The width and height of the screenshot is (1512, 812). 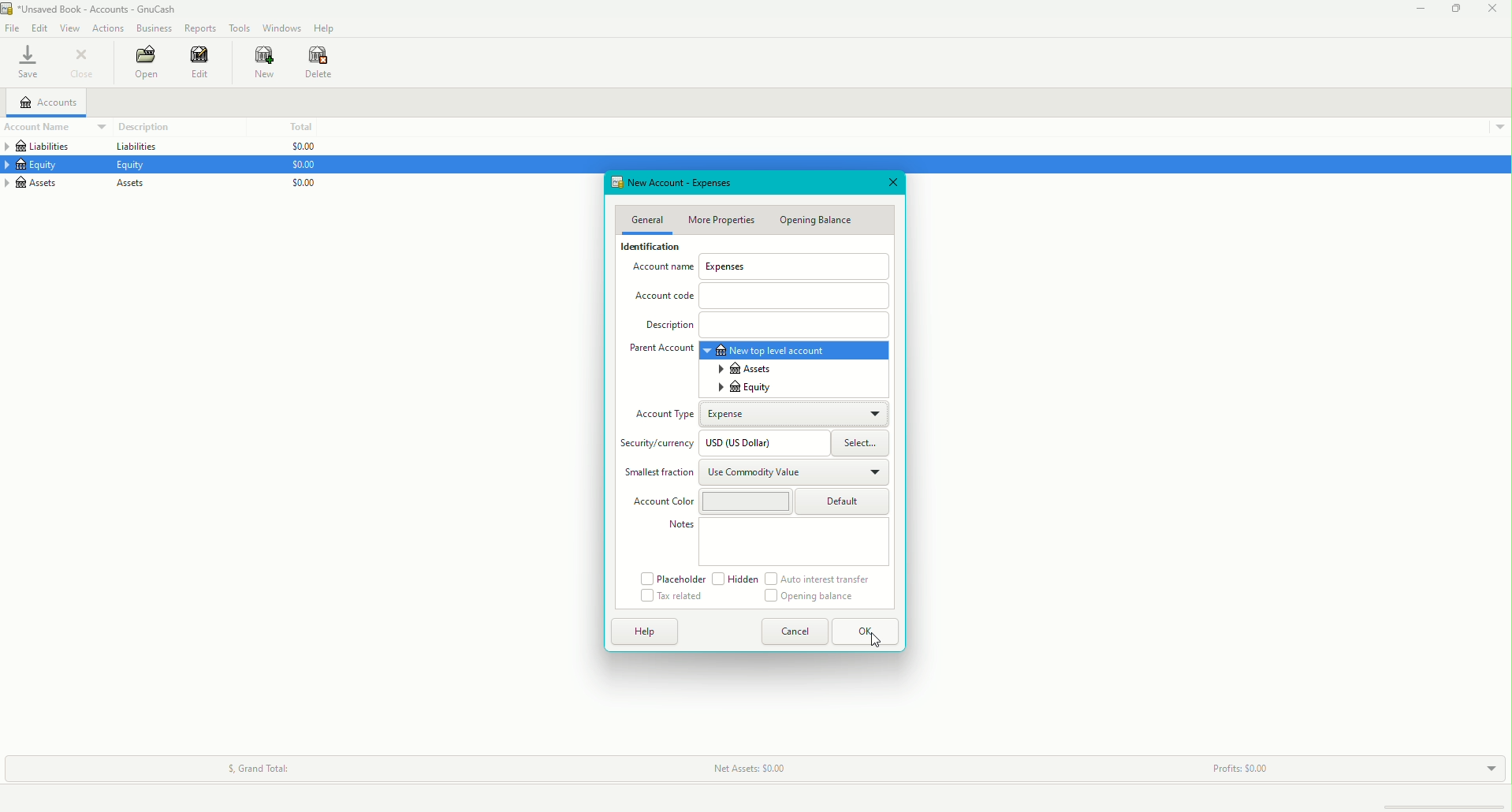 I want to click on Asset, so click(x=719, y=324).